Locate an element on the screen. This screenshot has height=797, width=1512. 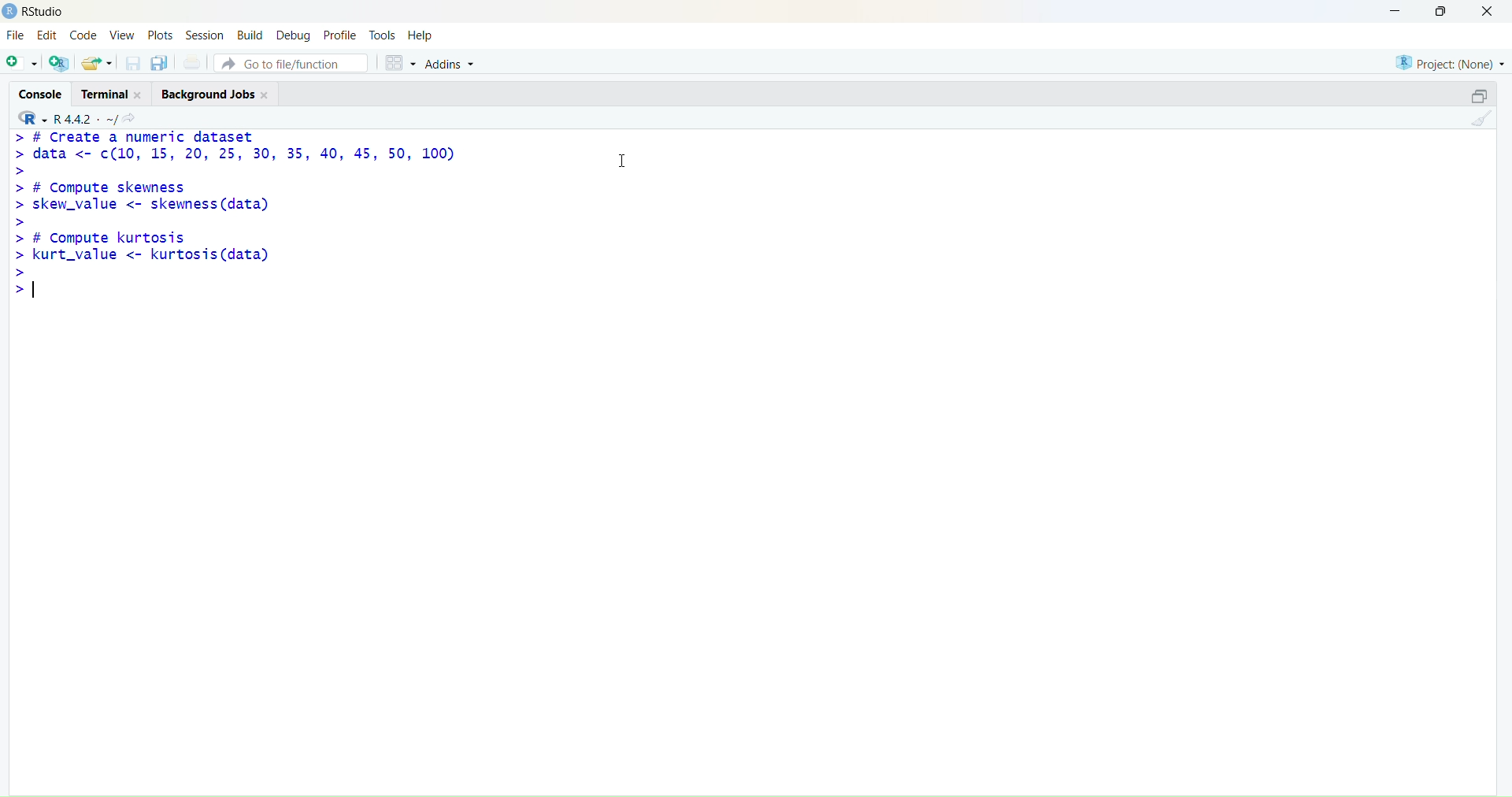
Open an existing file (Ctrl + O) is located at coordinates (98, 62).